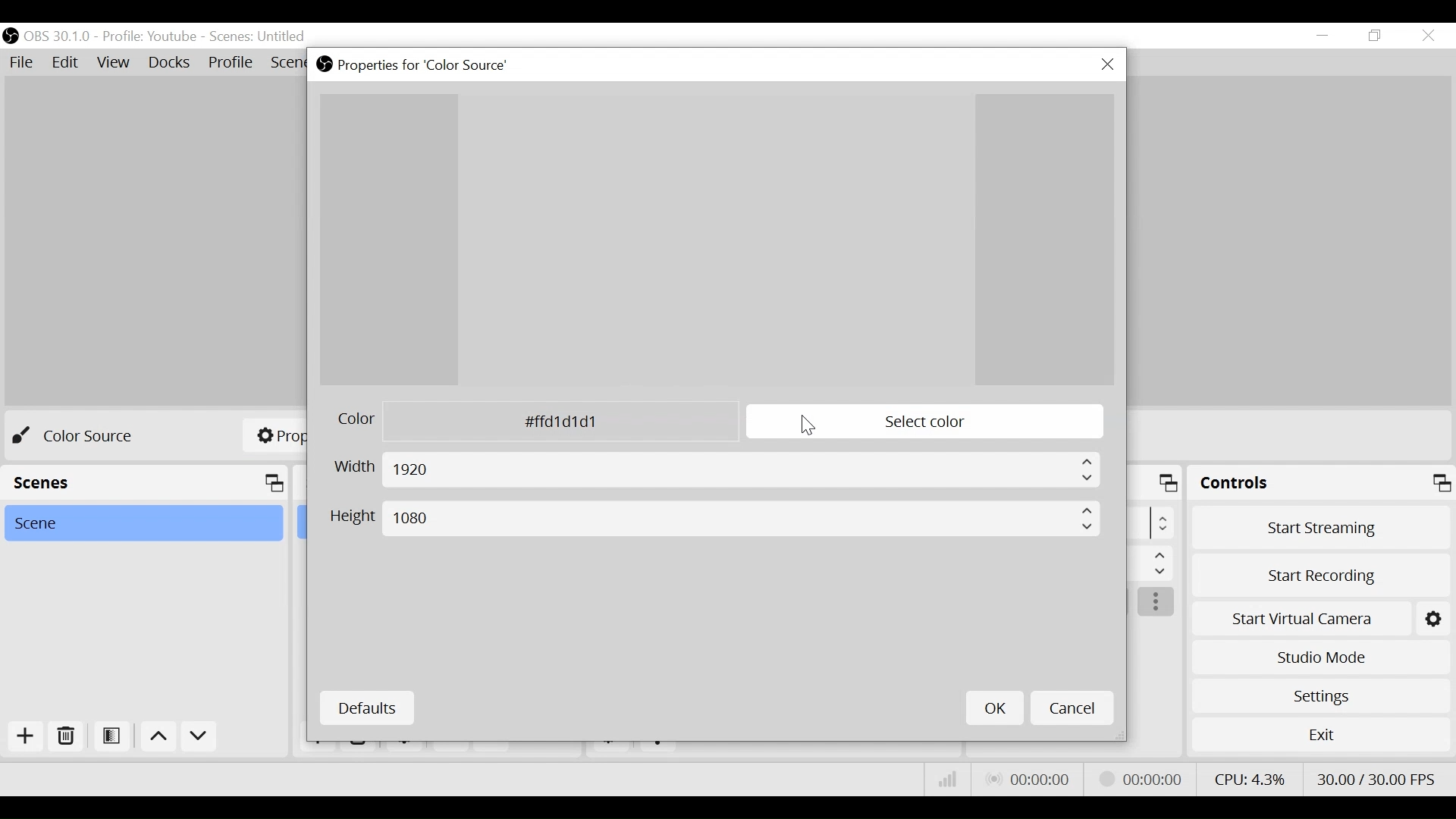 The height and width of the screenshot is (819, 1456). Describe the element at coordinates (84, 437) in the screenshot. I see `No source selected` at that location.